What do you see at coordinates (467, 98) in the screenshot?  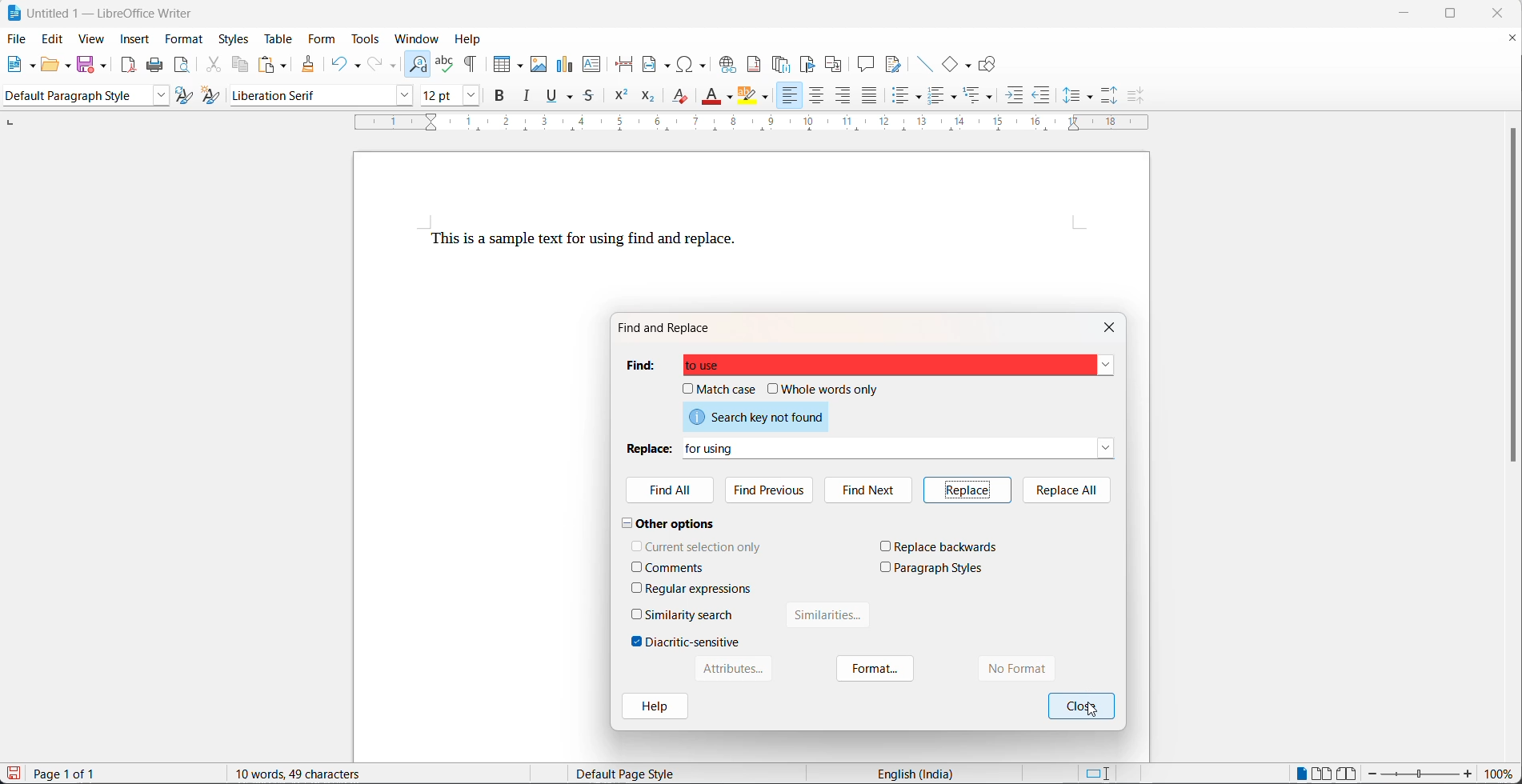 I see `font size options` at bounding box center [467, 98].